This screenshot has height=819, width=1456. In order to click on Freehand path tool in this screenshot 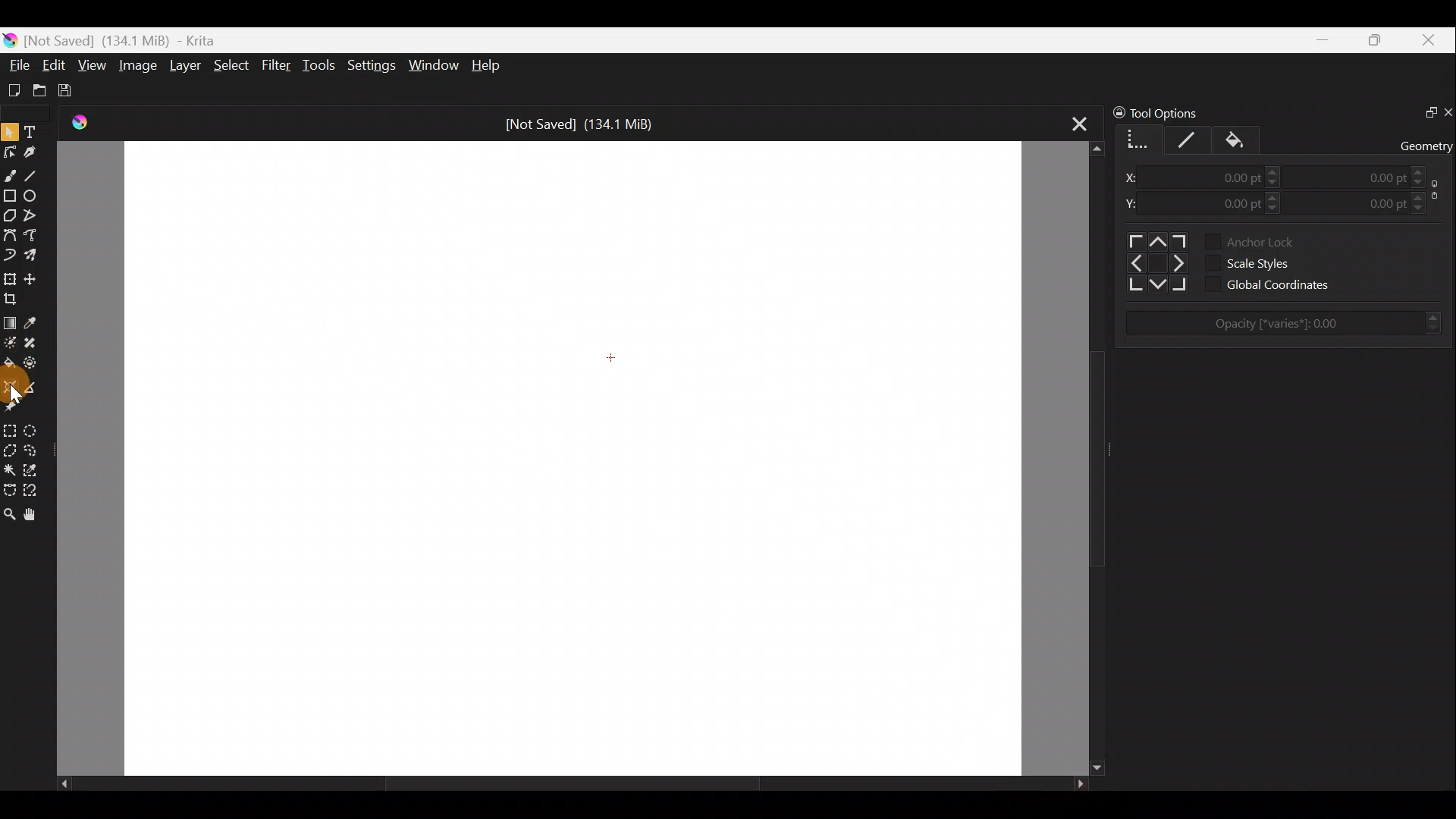, I will do `click(31, 236)`.